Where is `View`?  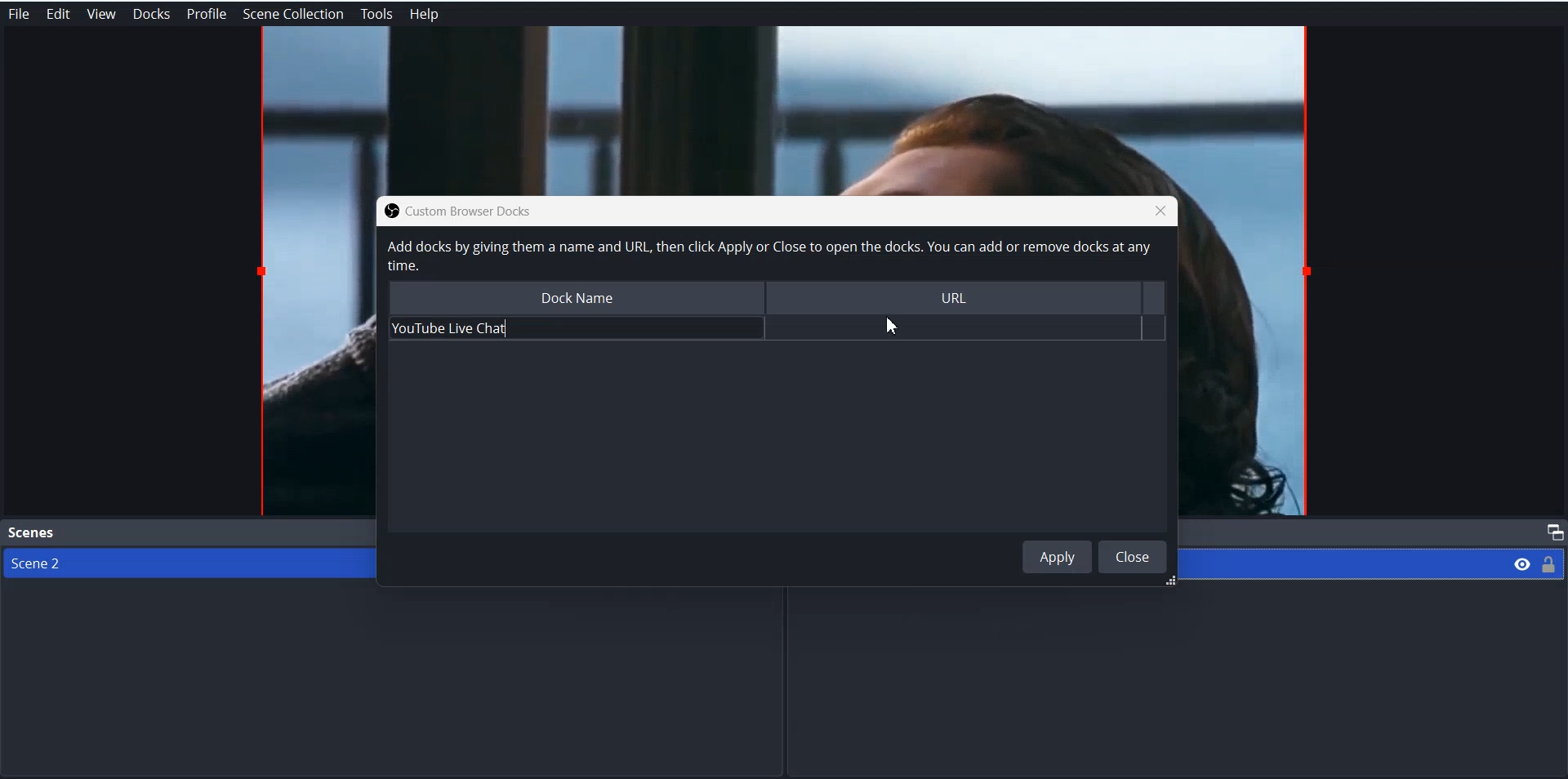
View is located at coordinates (100, 14).